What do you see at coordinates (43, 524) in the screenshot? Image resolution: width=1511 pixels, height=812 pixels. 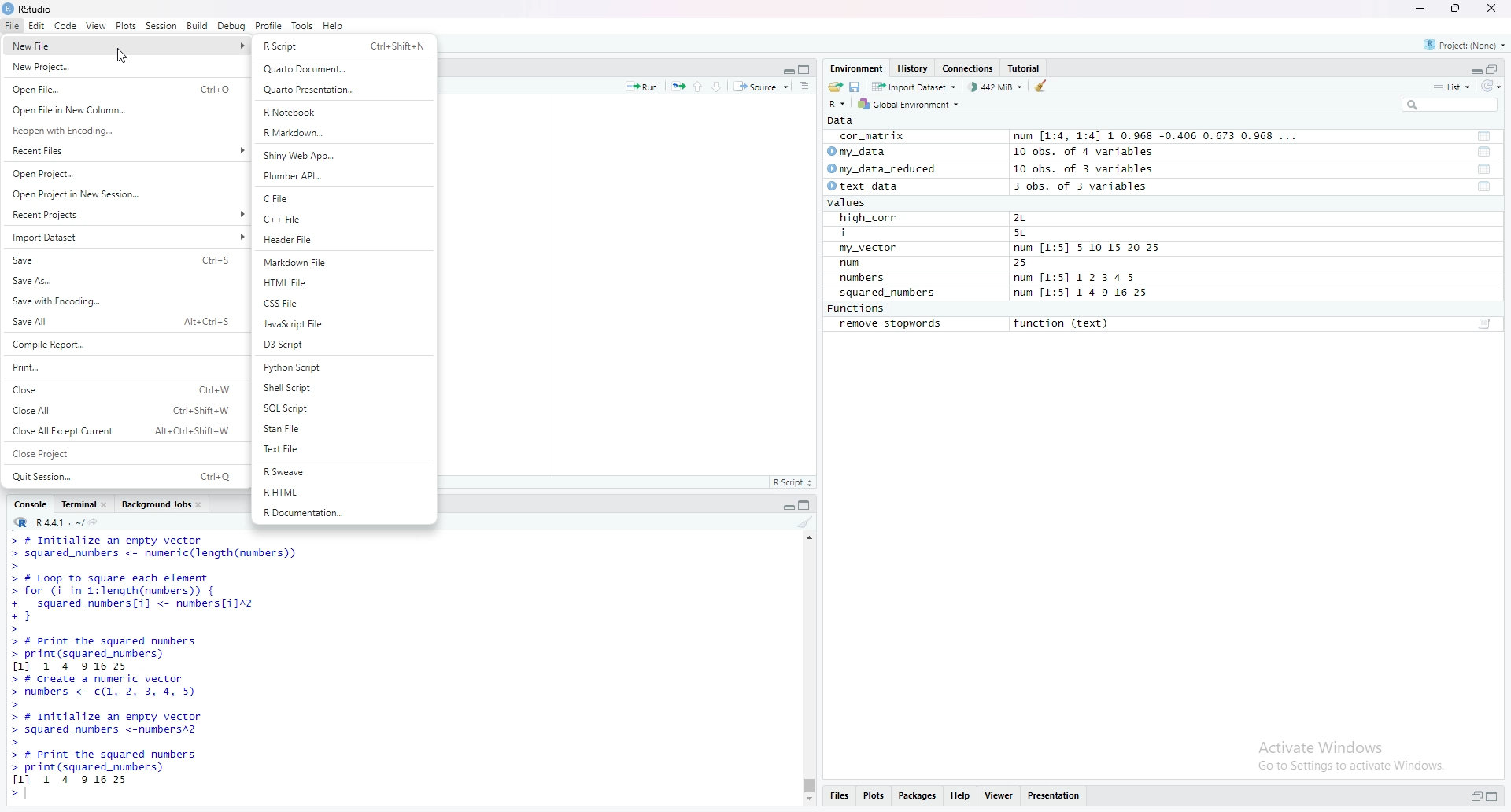 I see `R 4.4.1 ~/` at bounding box center [43, 524].